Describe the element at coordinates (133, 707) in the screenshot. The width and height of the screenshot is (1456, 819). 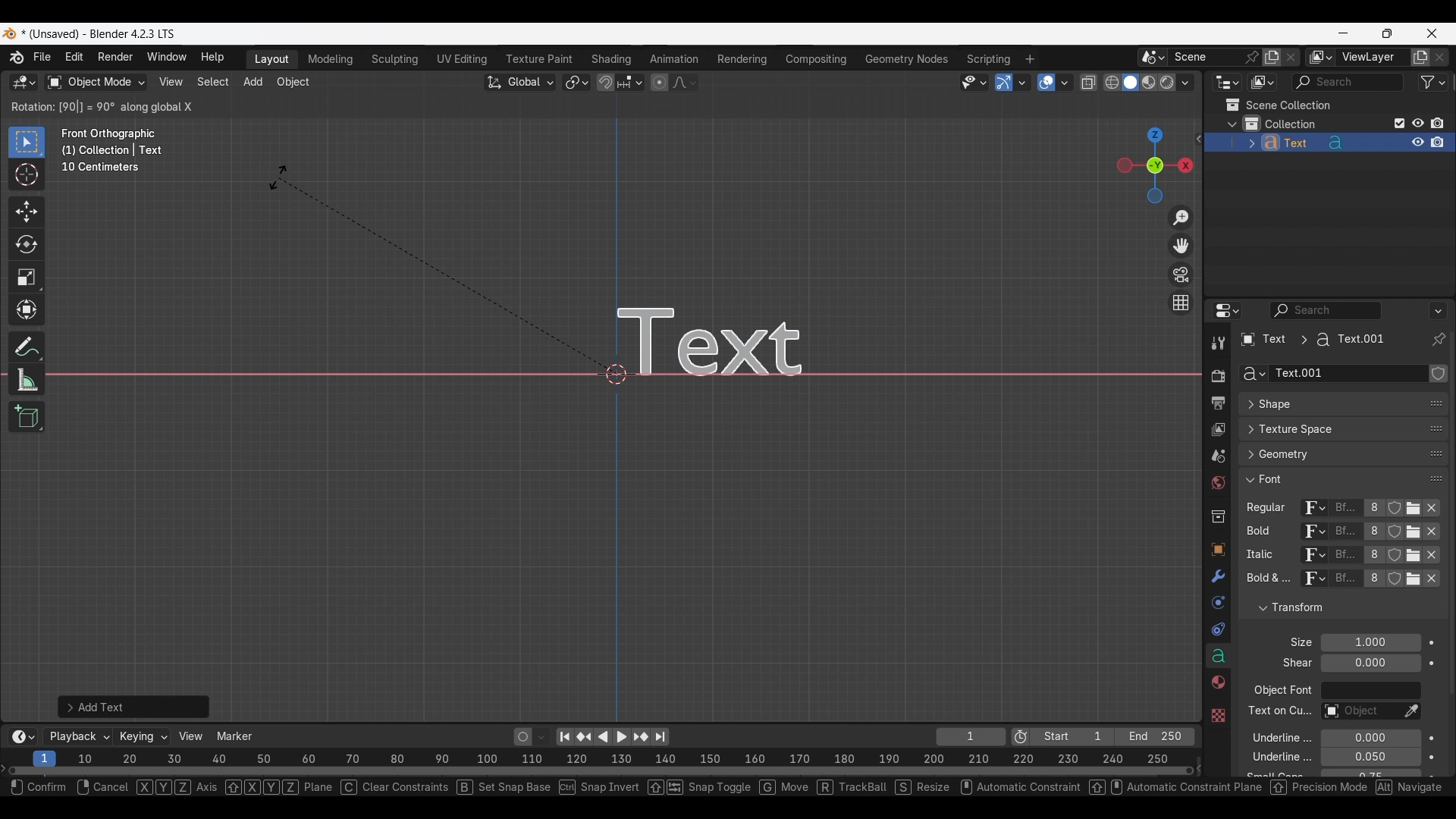
I see `Add text` at that location.